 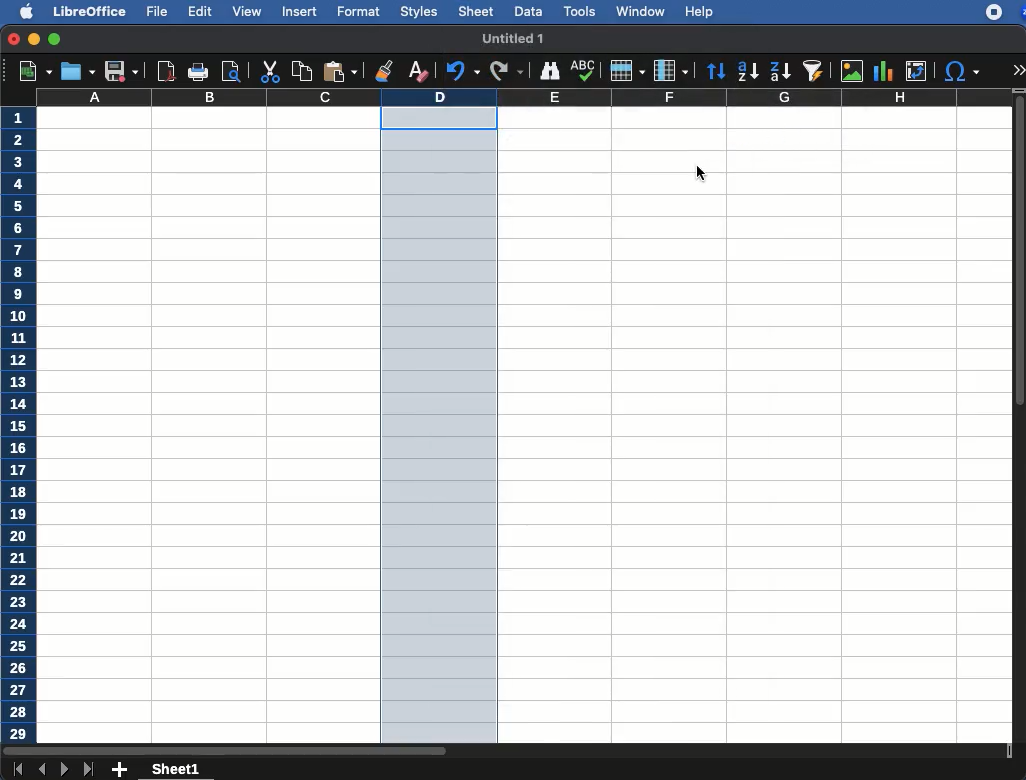 I want to click on sort, so click(x=812, y=72).